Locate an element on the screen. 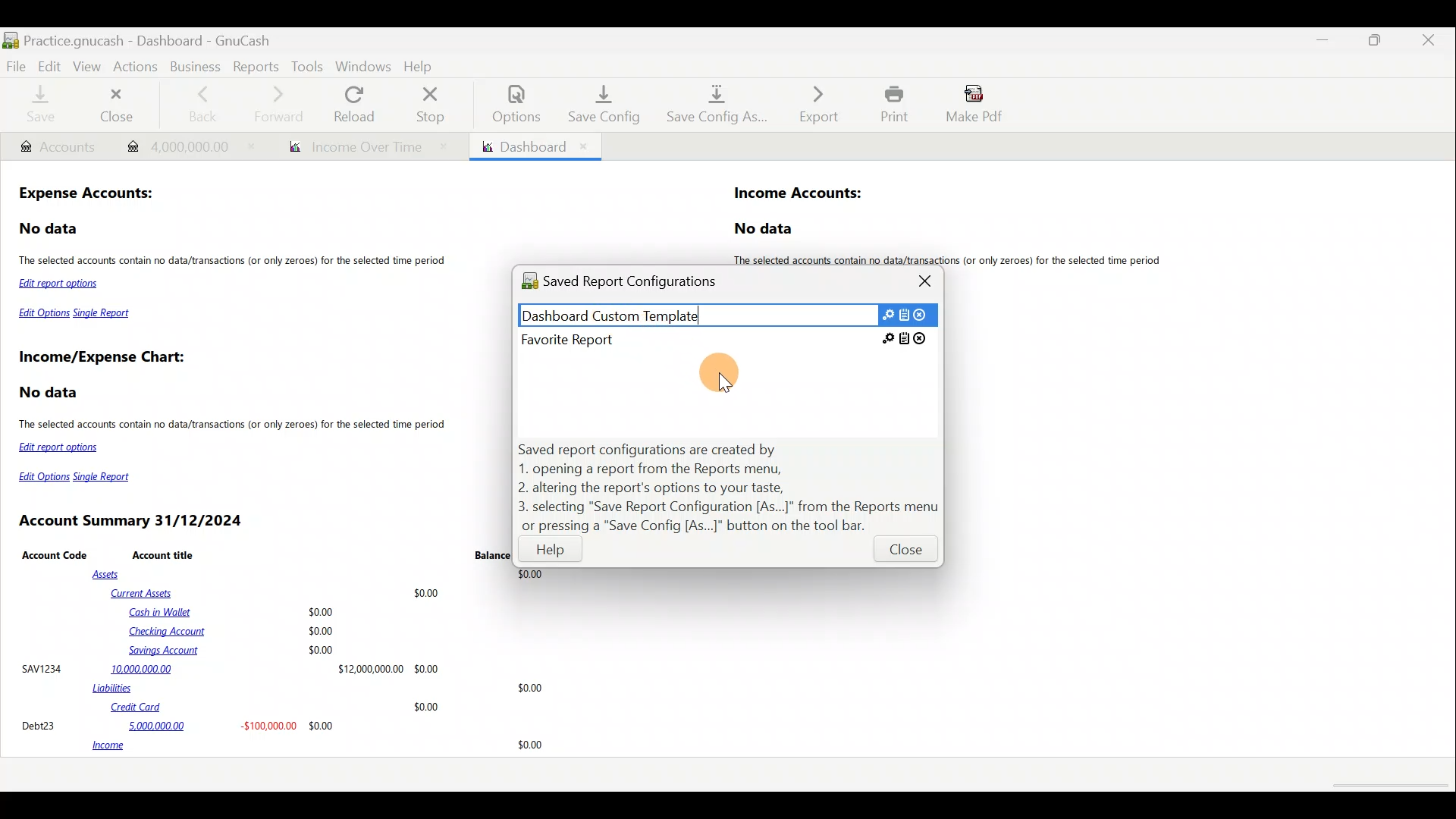 Image resolution: width=1456 pixels, height=819 pixels. SAVI234 10,000,000.00 $12,000,00000 $0.00 is located at coordinates (230, 668).